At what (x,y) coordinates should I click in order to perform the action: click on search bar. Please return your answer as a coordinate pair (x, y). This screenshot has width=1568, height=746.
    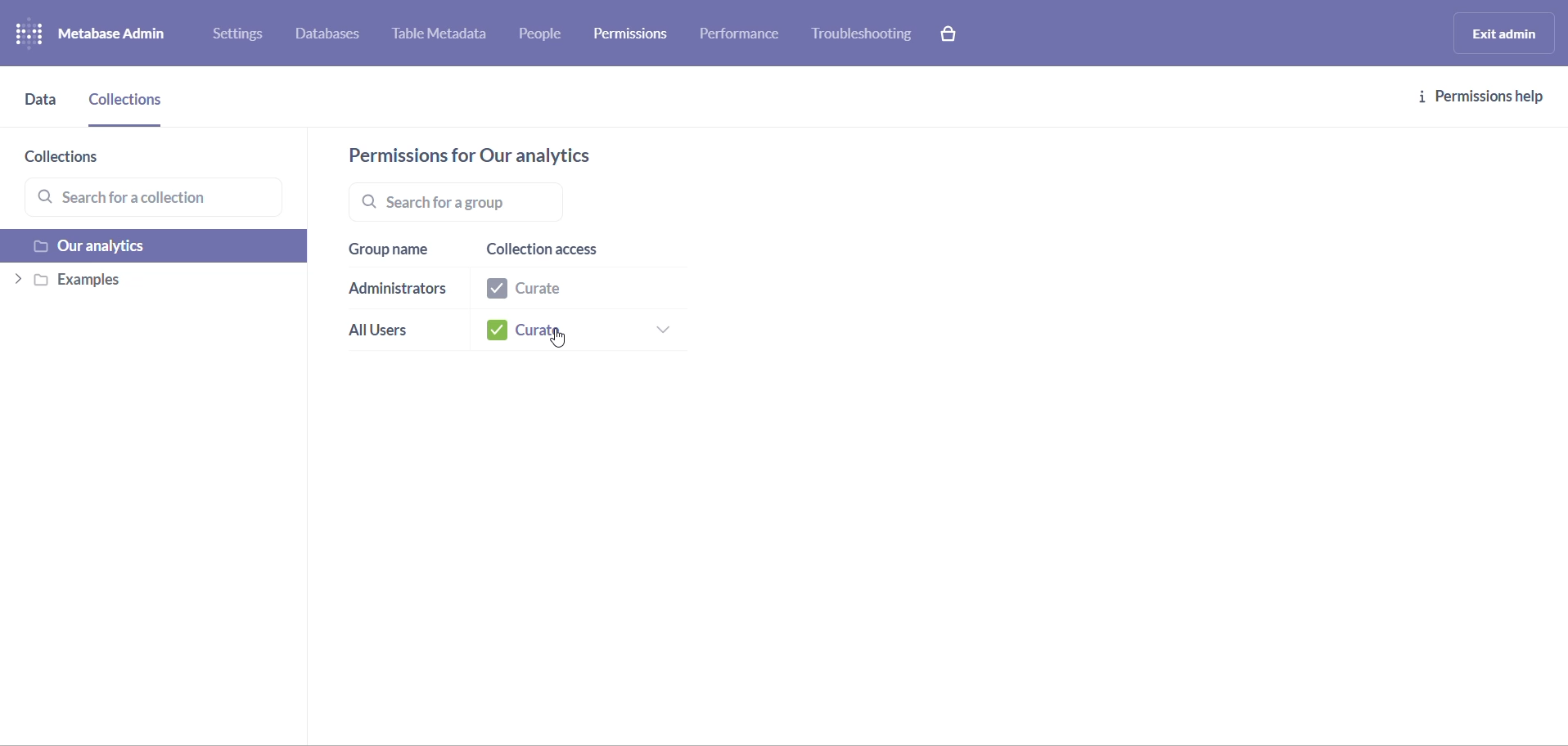
    Looking at the image, I should click on (160, 199).